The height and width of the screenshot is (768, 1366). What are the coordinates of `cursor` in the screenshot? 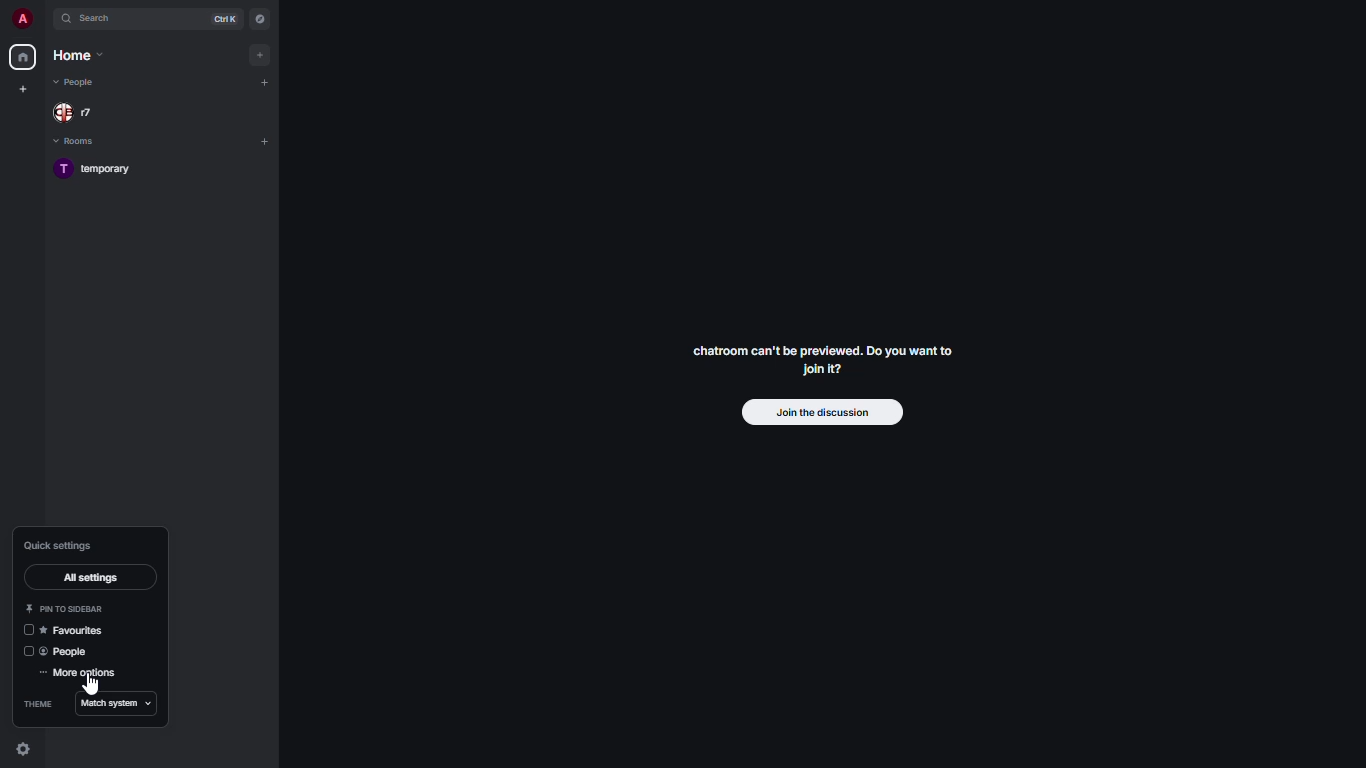 It's located at (88, 686).